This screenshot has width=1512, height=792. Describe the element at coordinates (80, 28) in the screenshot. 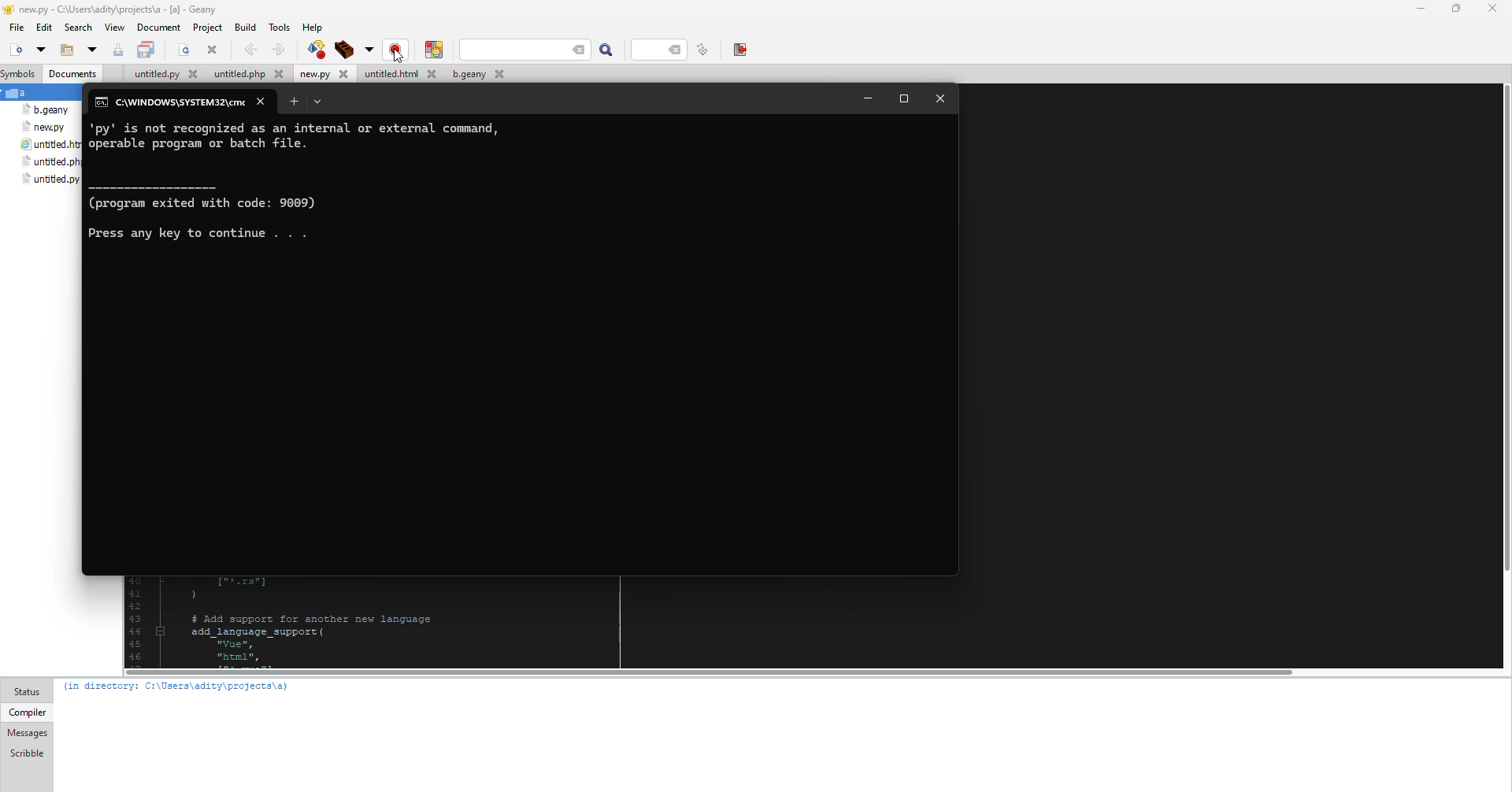

I see `search` at that location.